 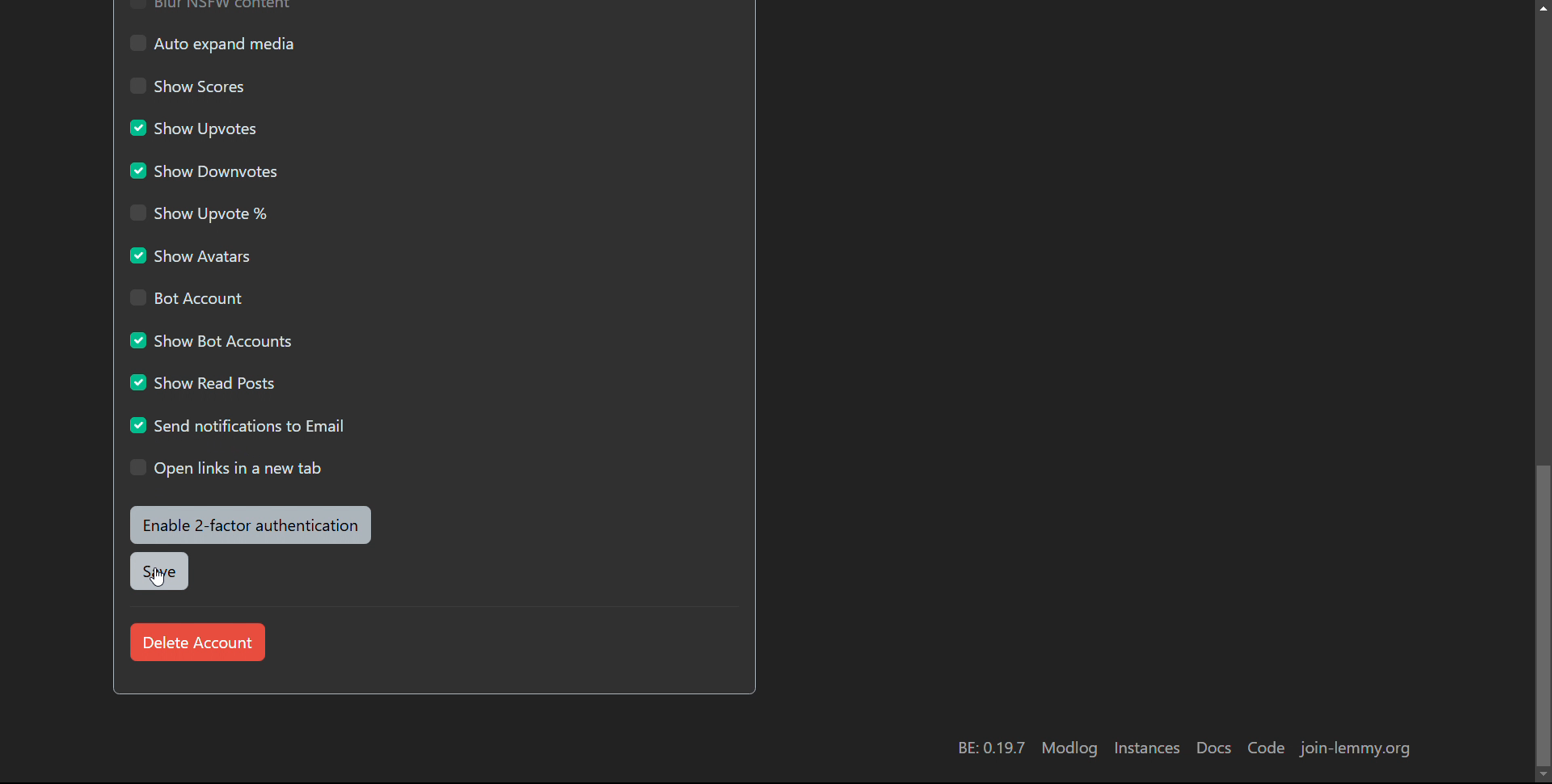 I want to click on show upvote %, so click(x=199, y=212).